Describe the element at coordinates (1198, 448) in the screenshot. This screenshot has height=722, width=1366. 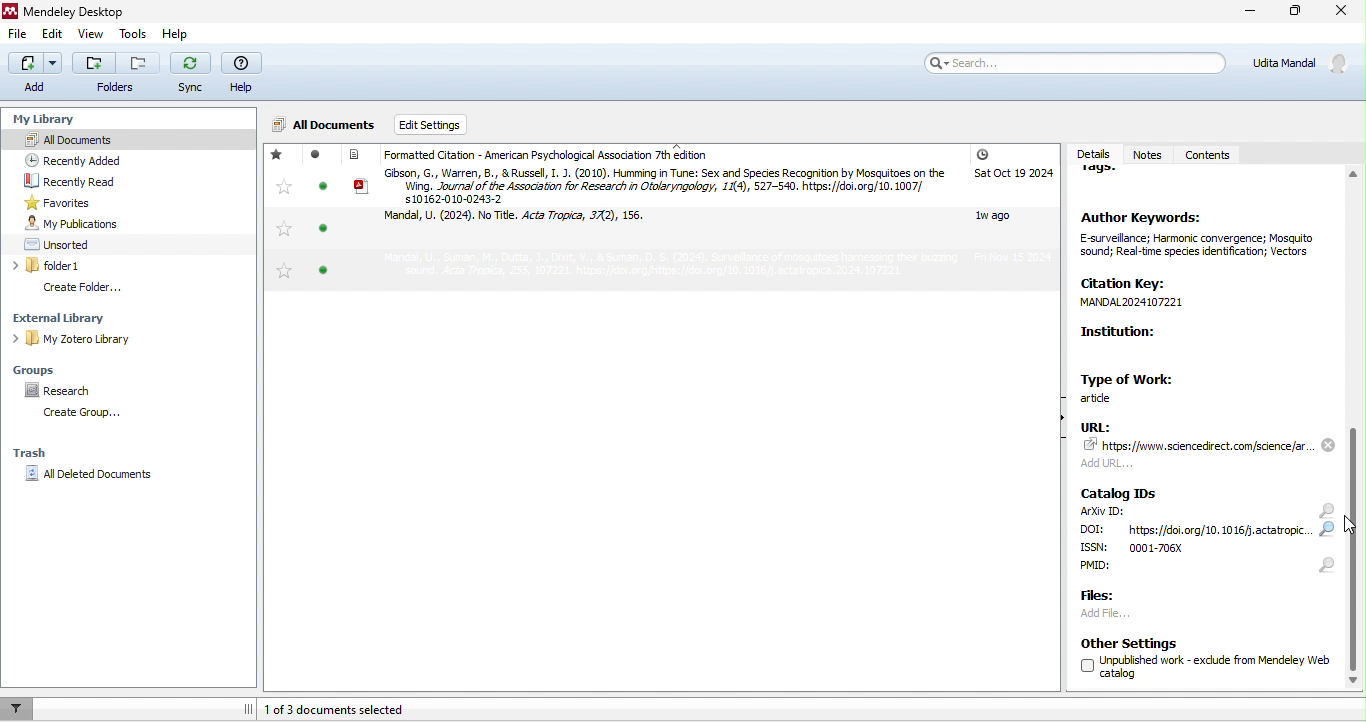
I see `URL:
5 hitpss fw, sciencedrect,comscience/ar.
Add URL` at that location.